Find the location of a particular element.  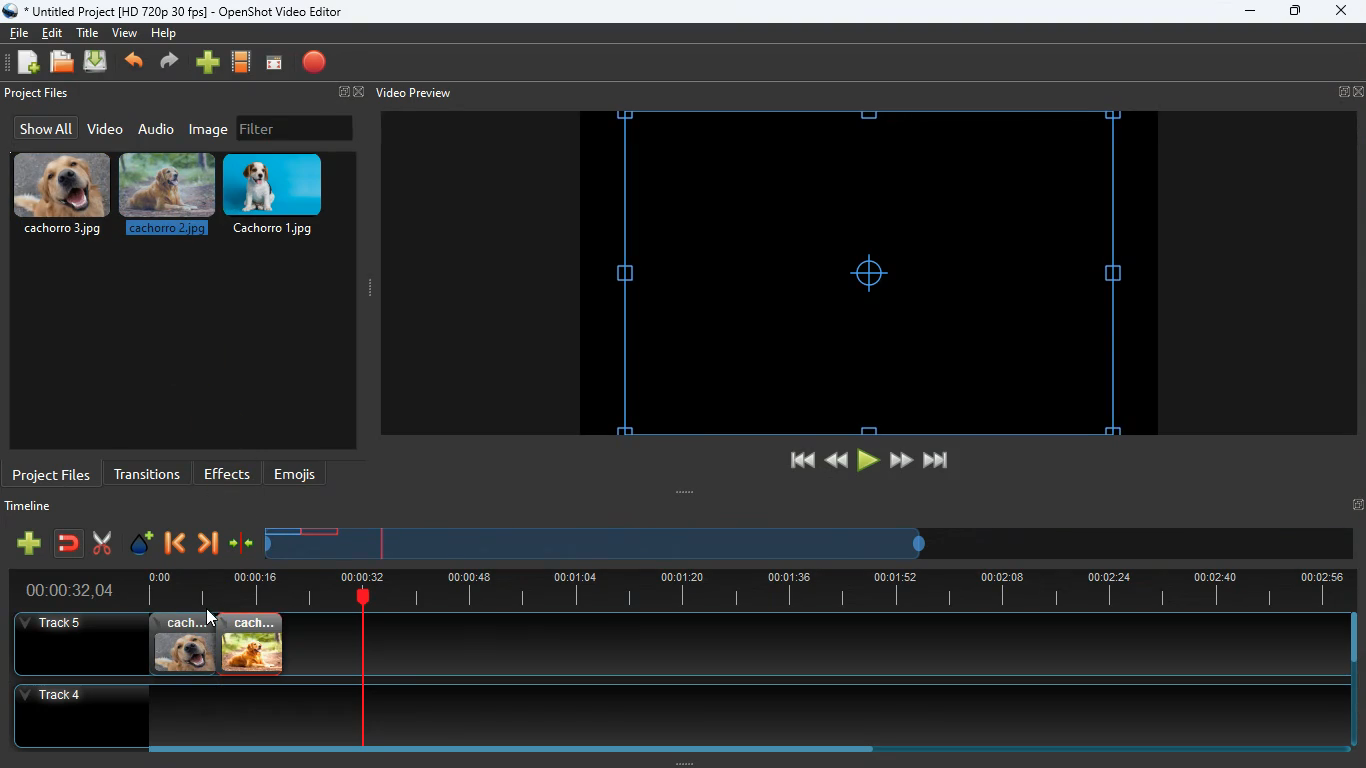

film is located at coordinates (242, 63).